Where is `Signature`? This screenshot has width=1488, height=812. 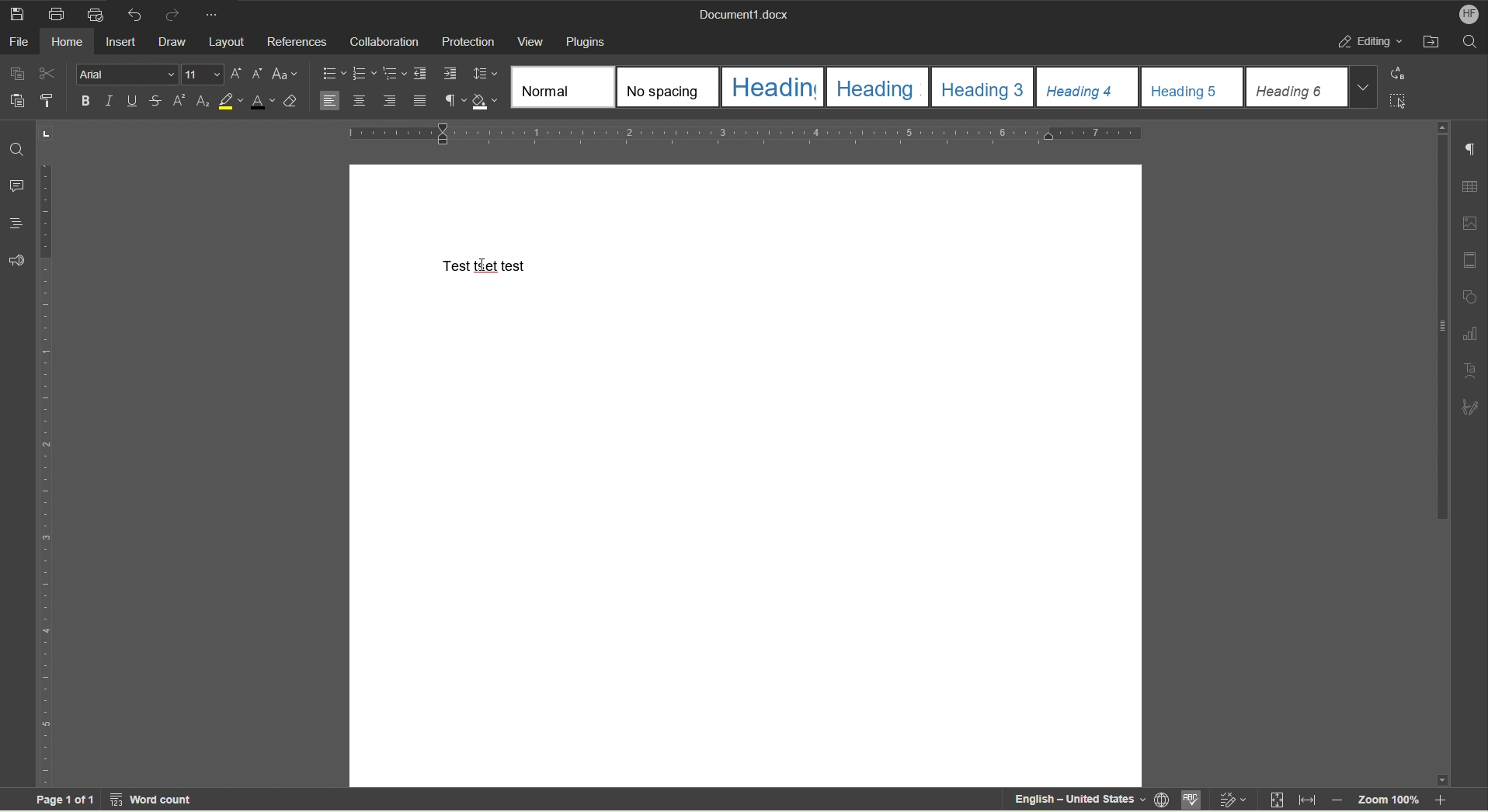
Signature is located at coordinates (1470, 406).